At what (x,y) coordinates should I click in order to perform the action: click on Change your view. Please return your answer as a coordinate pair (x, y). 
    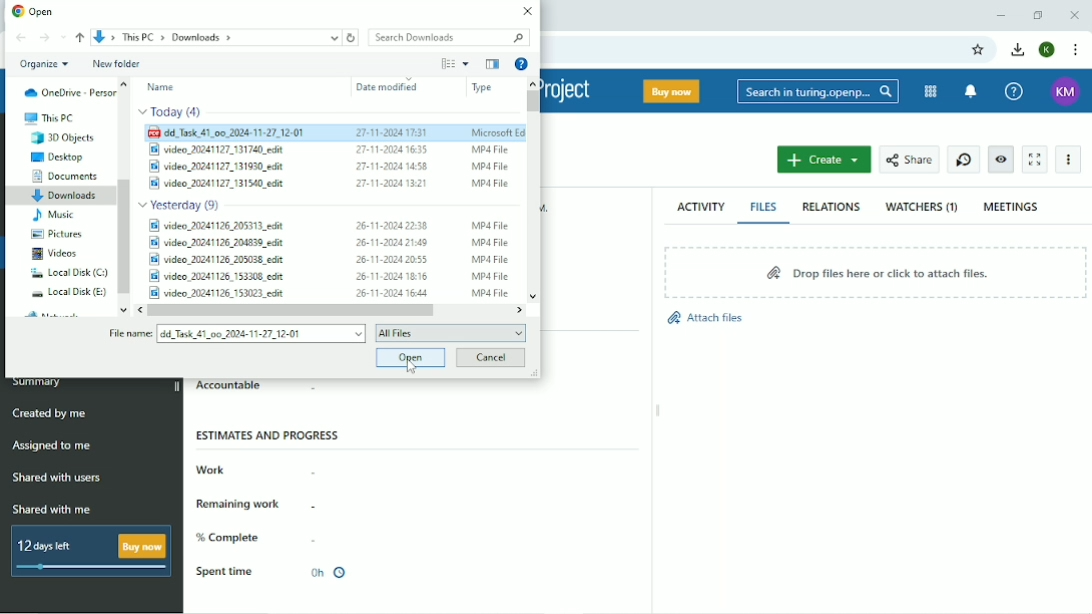
    Looking at the image, I should click on (447, 63).